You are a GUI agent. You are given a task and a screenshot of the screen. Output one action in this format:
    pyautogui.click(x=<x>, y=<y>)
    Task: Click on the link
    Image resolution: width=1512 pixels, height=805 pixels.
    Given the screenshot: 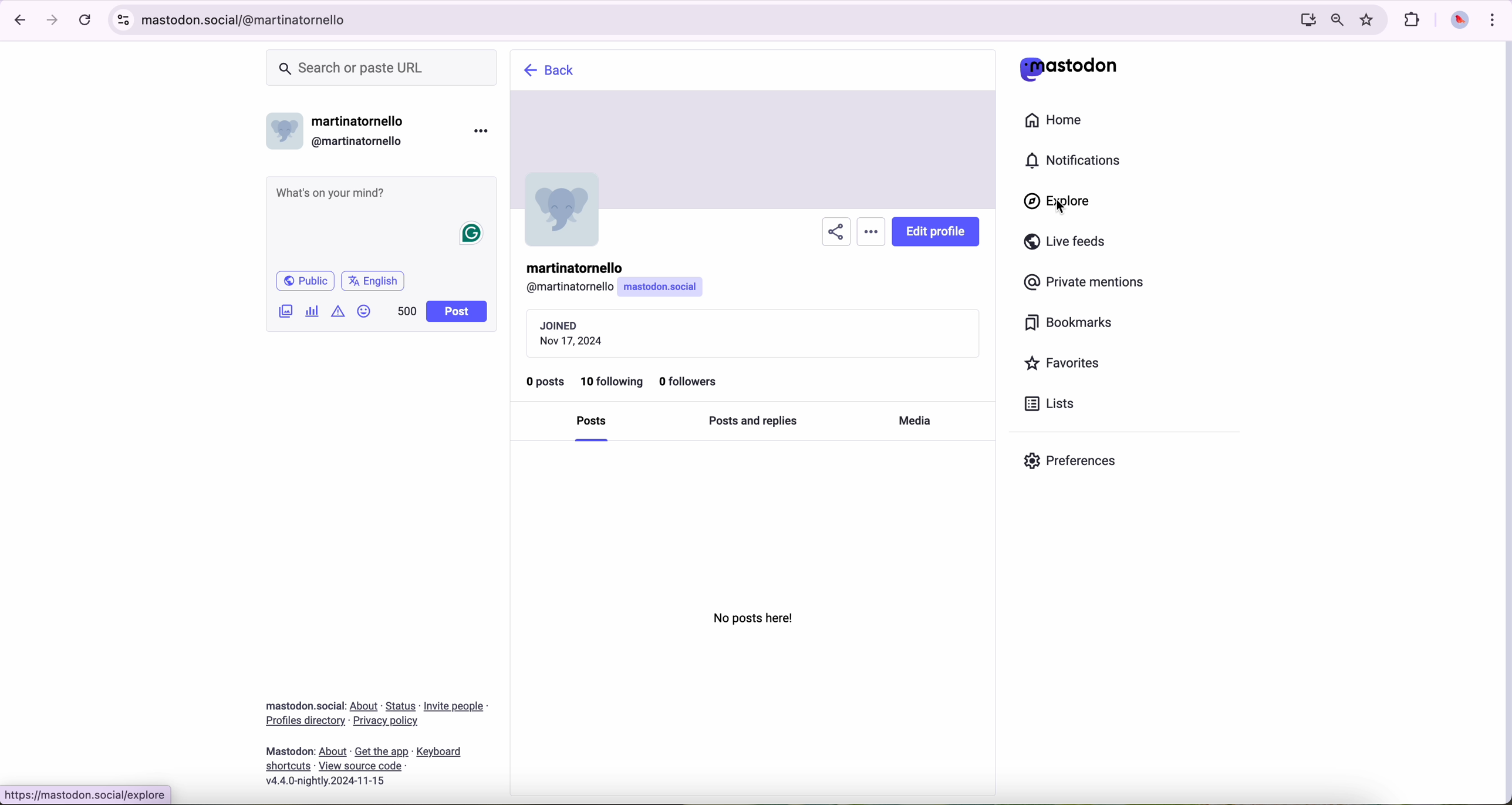 What is the action you would take?
    pyautogui.click(x=382, y=753)
    